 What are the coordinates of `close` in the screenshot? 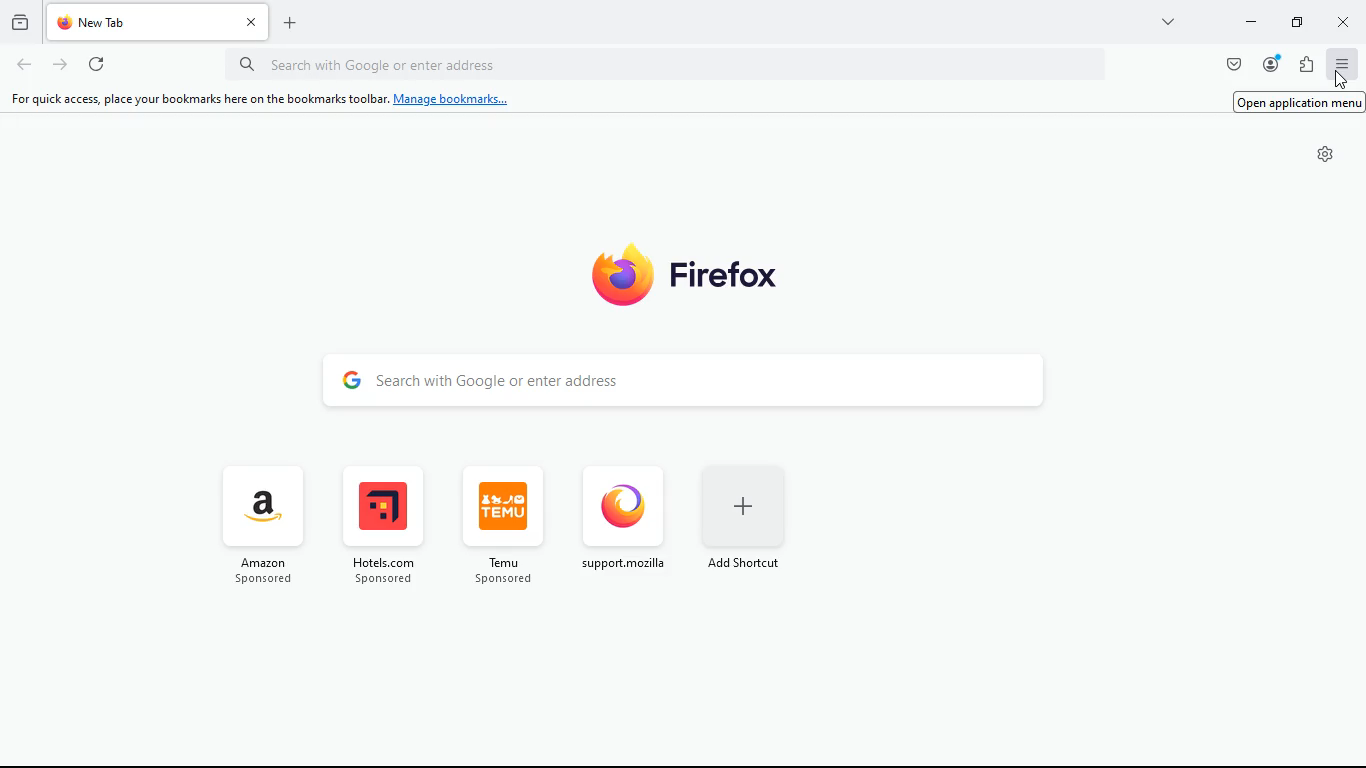 It's located at (1348, 21).